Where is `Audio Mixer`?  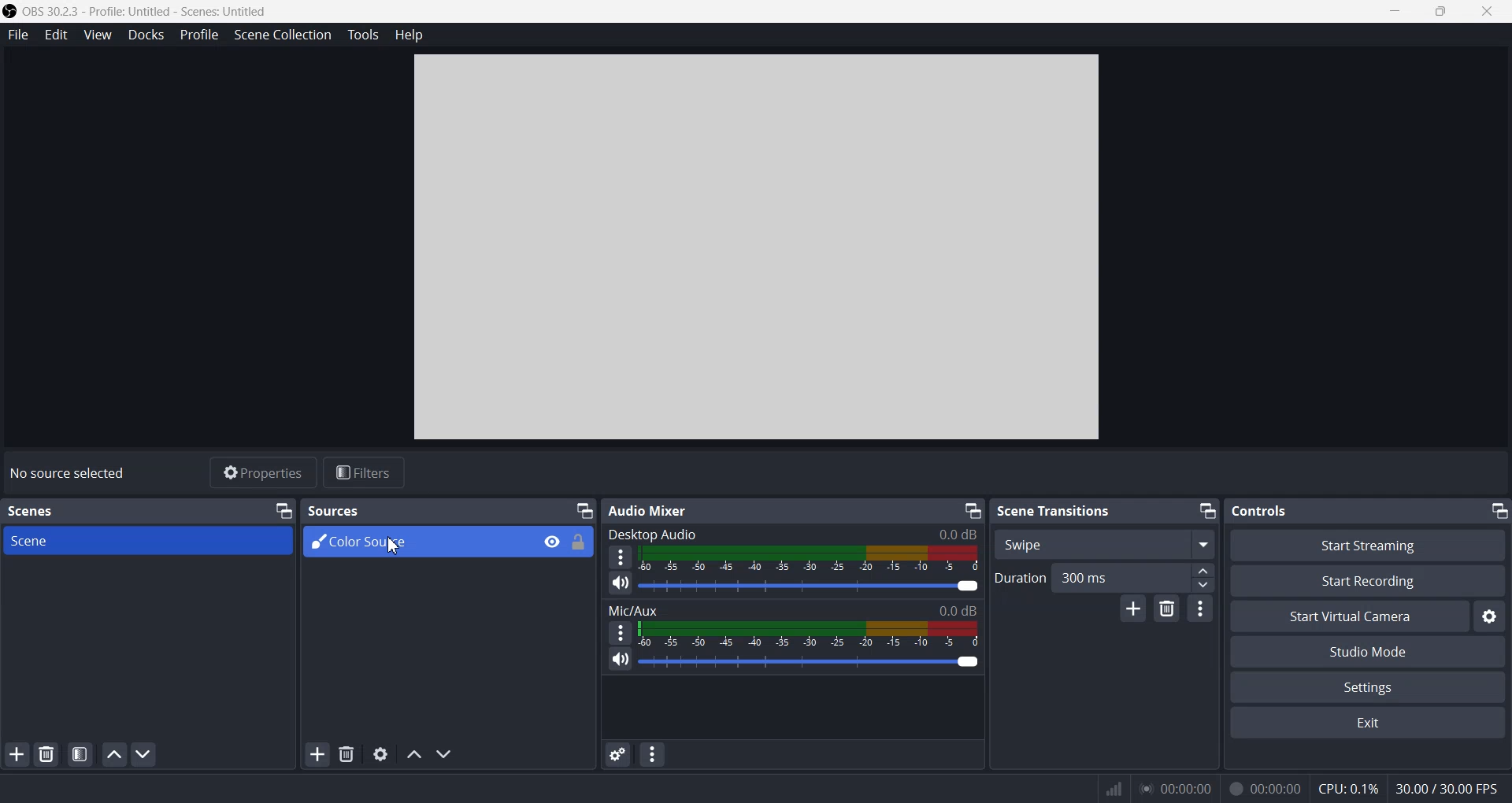
Audio Mixer is located at coordinates (647, 510).